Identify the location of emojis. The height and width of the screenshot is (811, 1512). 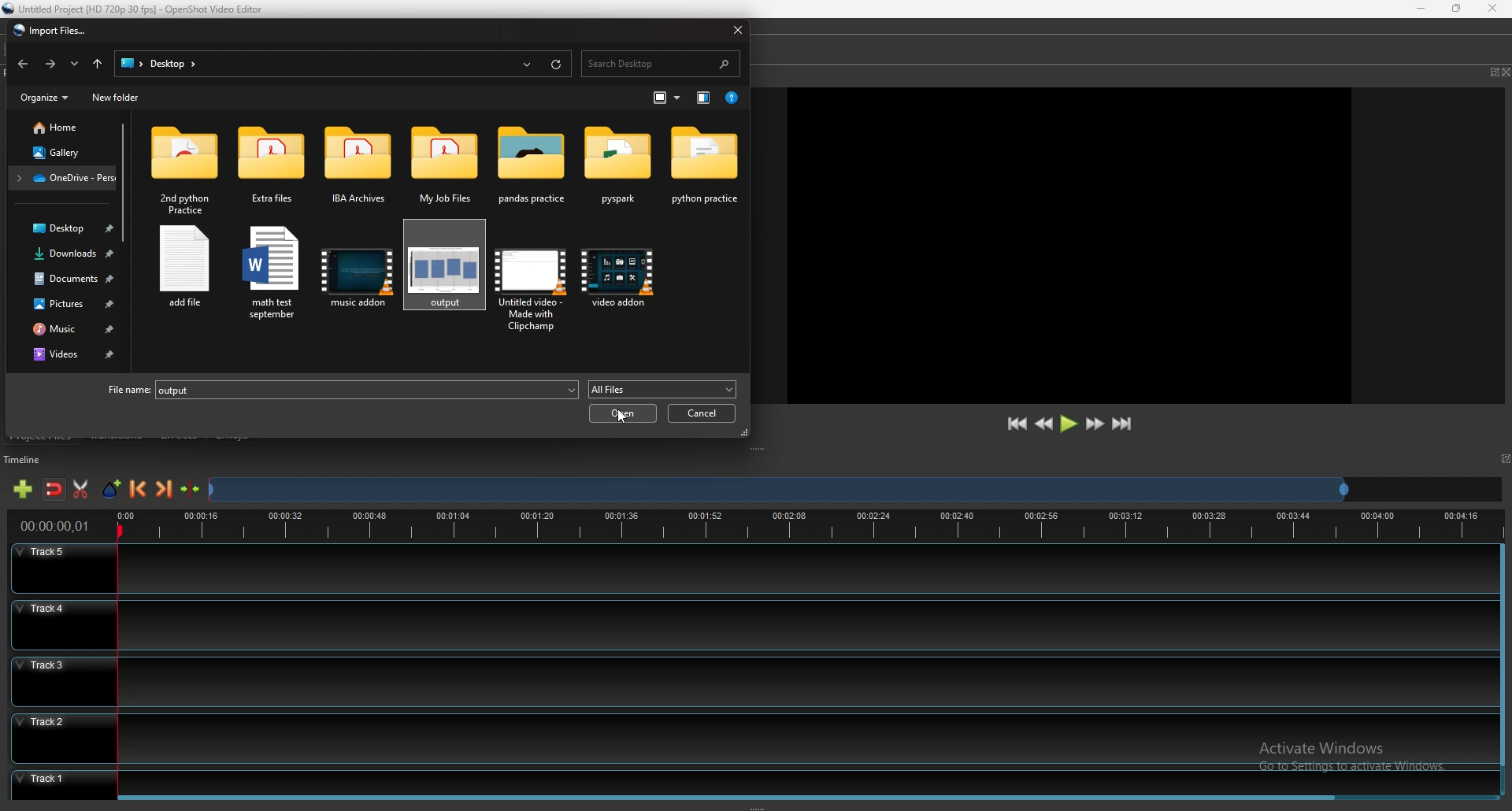
(232, 434).